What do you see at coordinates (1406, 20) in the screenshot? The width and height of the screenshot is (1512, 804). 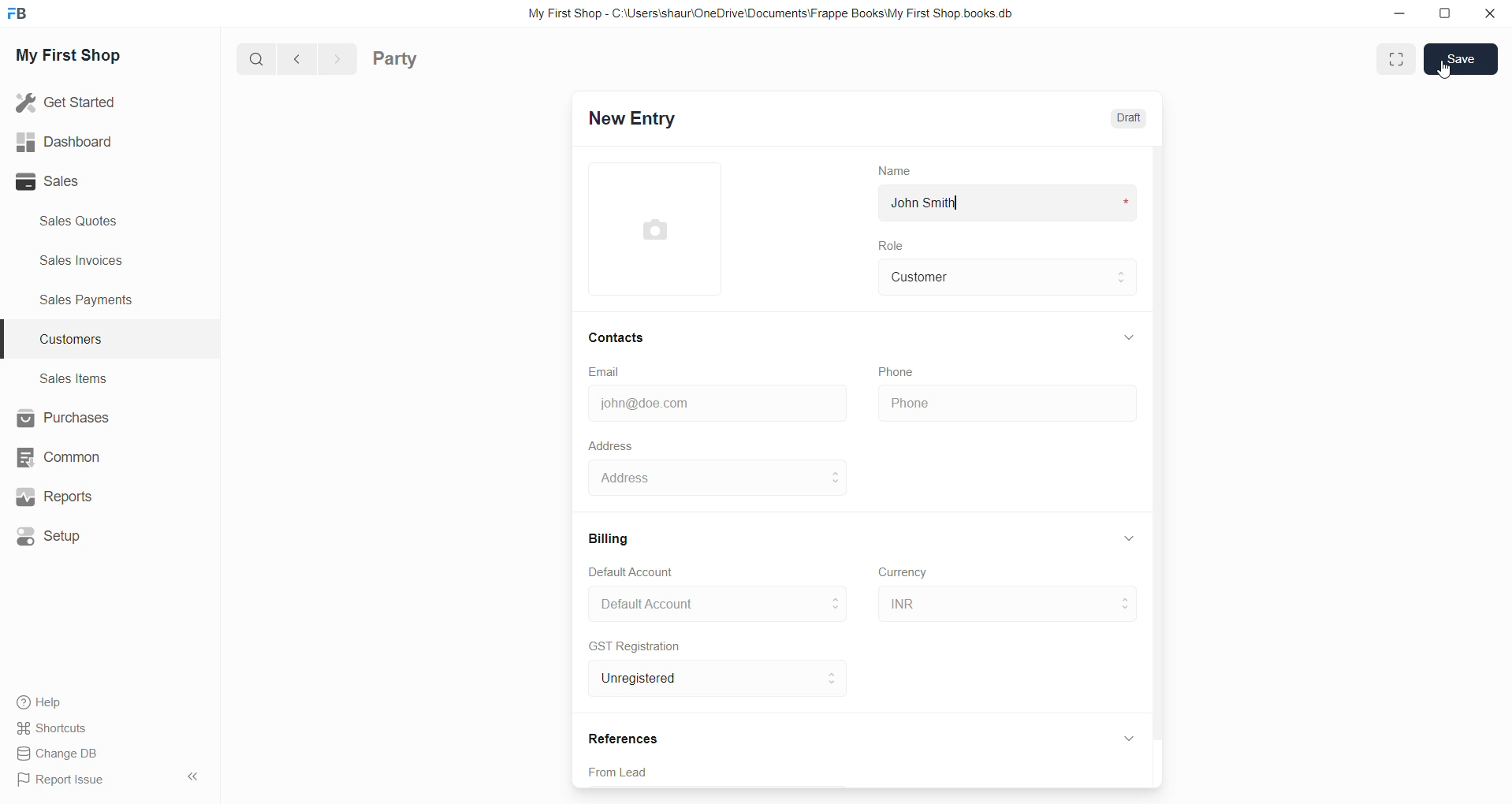 I see `minimize` at bounding box center [1406, 20].